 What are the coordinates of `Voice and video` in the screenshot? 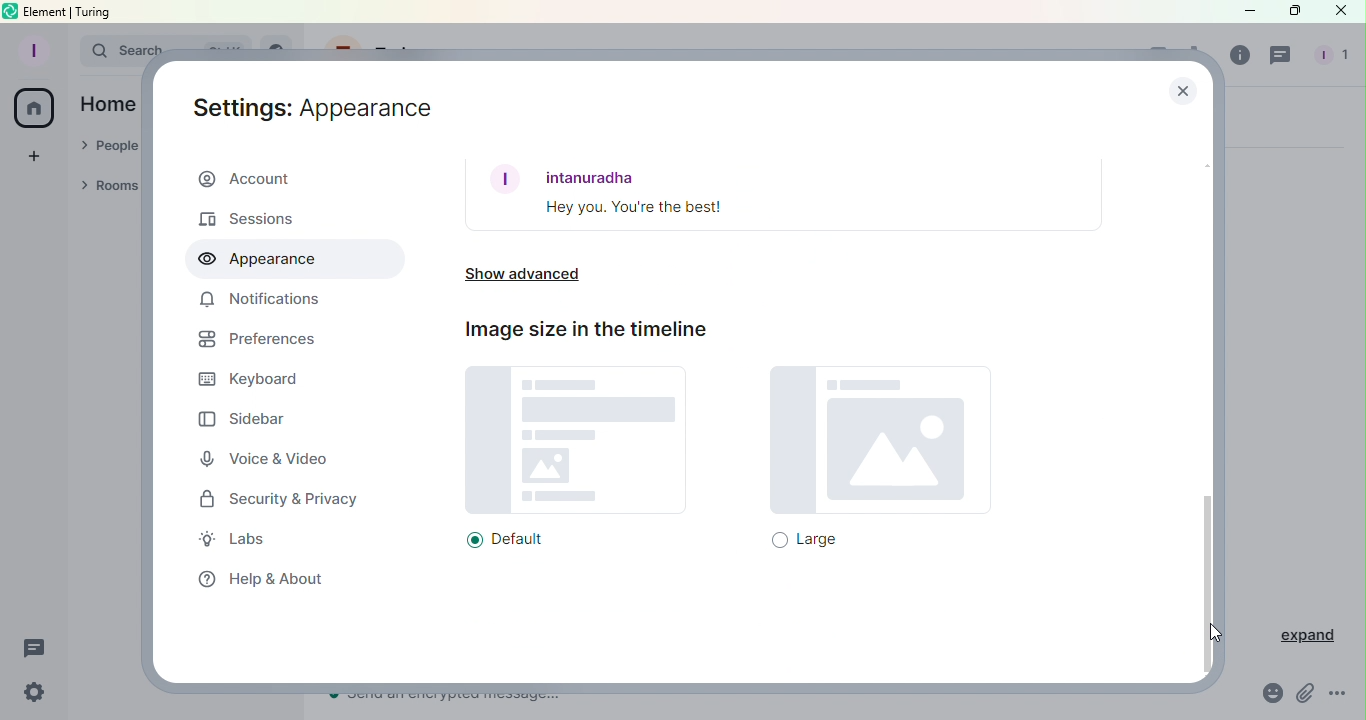 It's located at (271, 460).